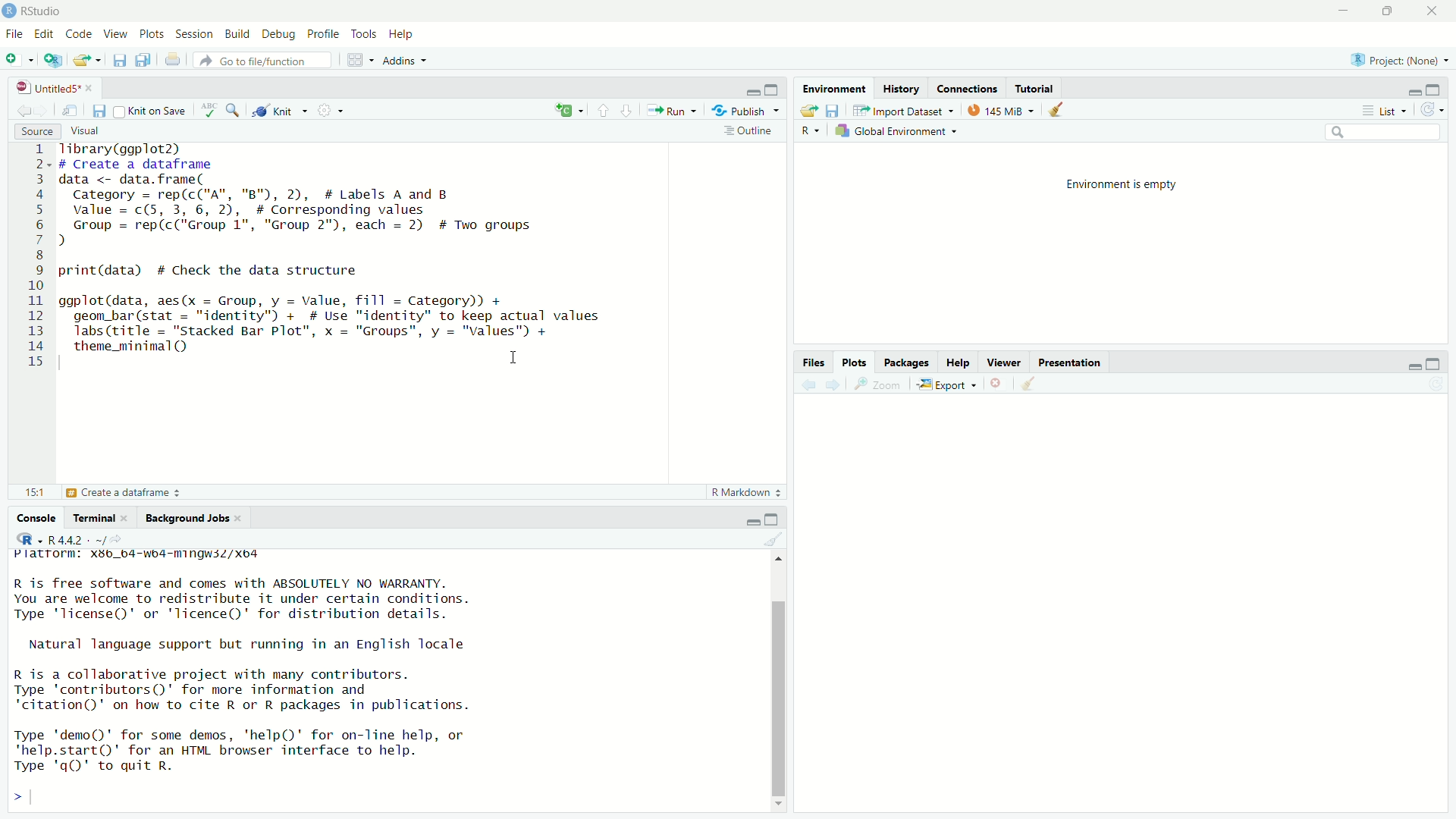  Describe the element at coordinates (35, 491) in the screenshot. I see `15:1` at that location.